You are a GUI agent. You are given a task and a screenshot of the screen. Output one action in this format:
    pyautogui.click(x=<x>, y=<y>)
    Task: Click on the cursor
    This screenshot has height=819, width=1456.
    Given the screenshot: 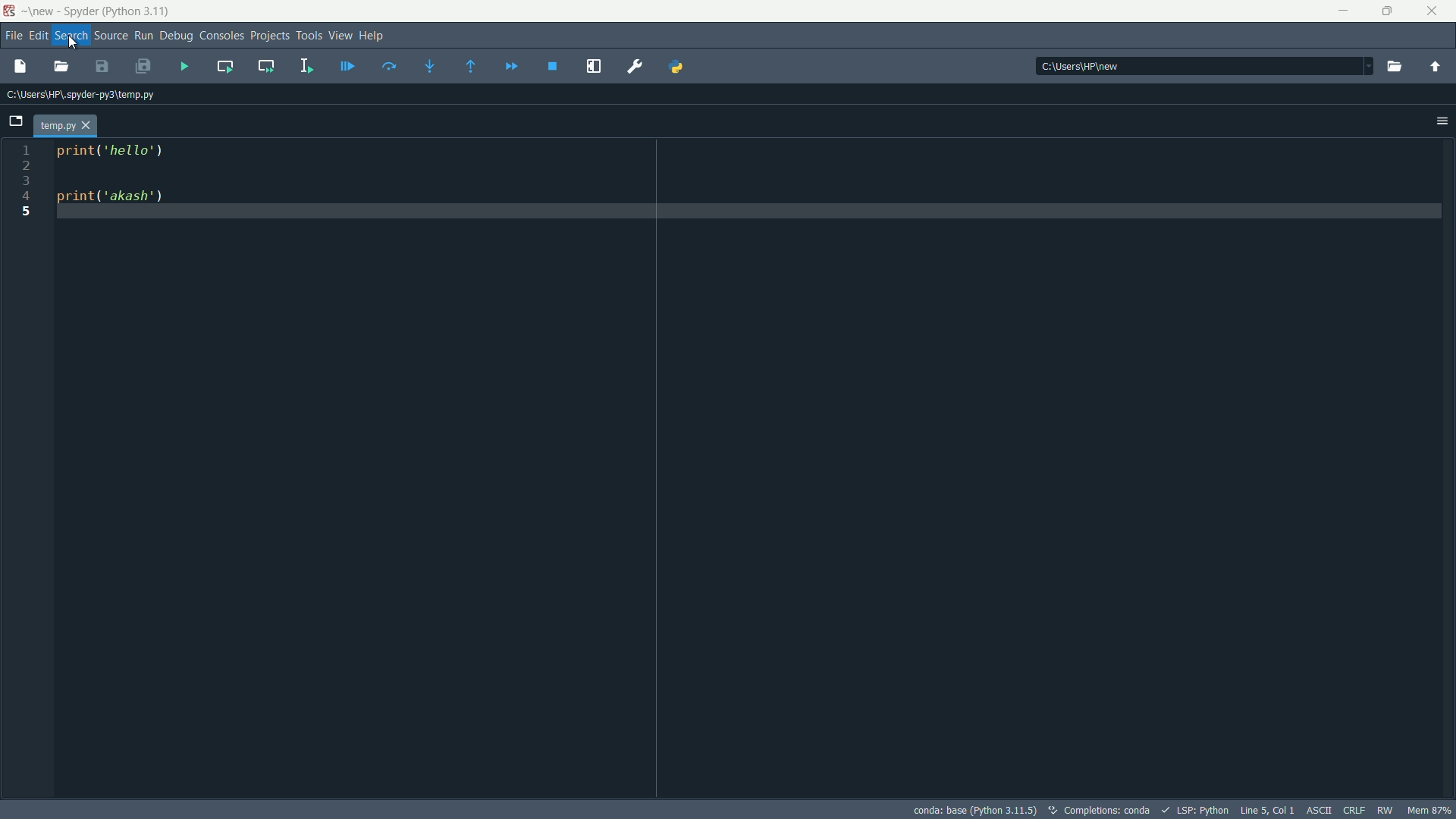 What is the action you would take?
    pyautogui.click(x=70, y=43)
    